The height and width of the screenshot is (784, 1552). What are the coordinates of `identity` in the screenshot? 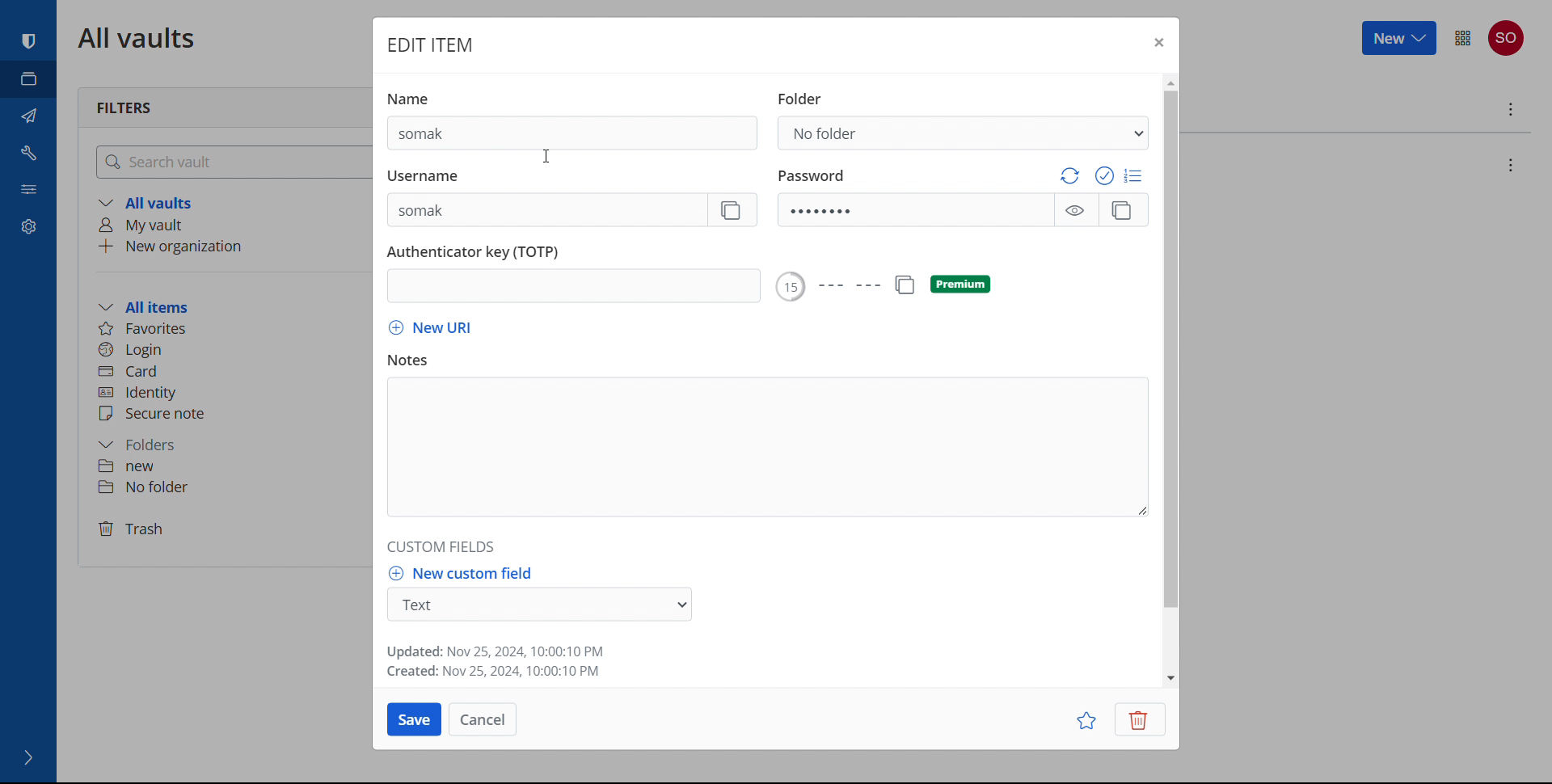 It's located at (227, 392).